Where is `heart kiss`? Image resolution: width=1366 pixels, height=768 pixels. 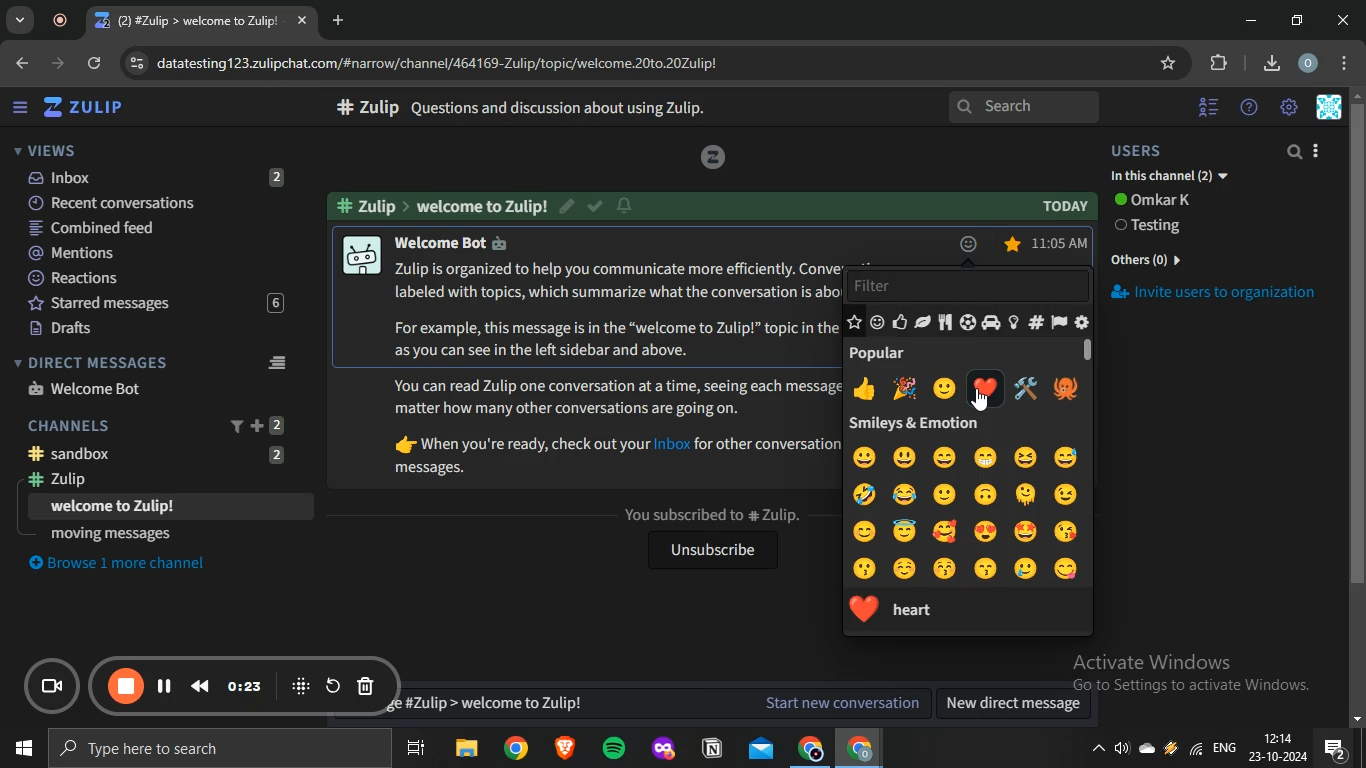
heart kiss is located at coordinates (1065, 530).